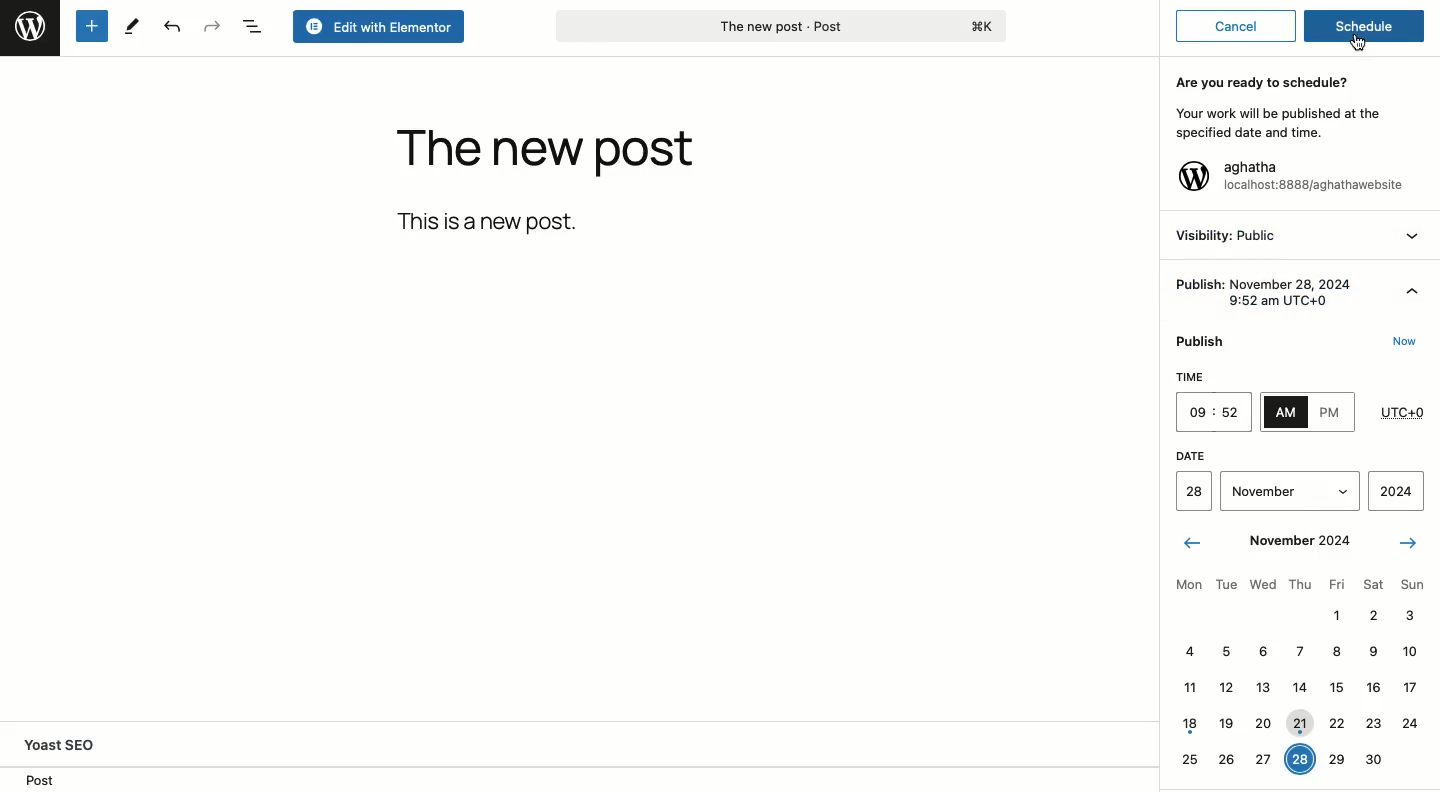  What do you see at coordinates (1334, 613) in the screenshot?
I see `1` at bounding box center [1334, 613].